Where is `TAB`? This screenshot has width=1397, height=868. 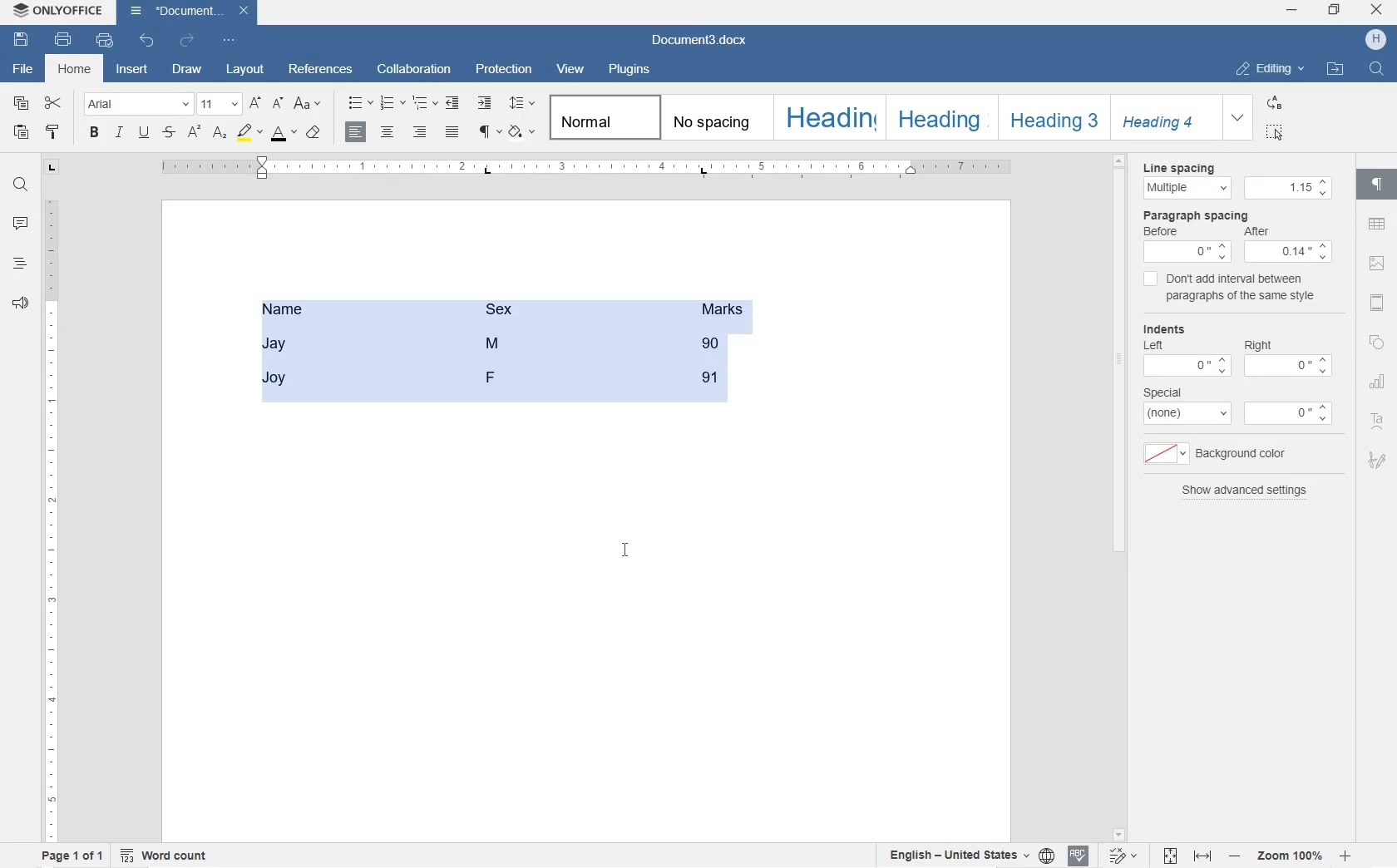
TAB is located at coordinates (52, 170).